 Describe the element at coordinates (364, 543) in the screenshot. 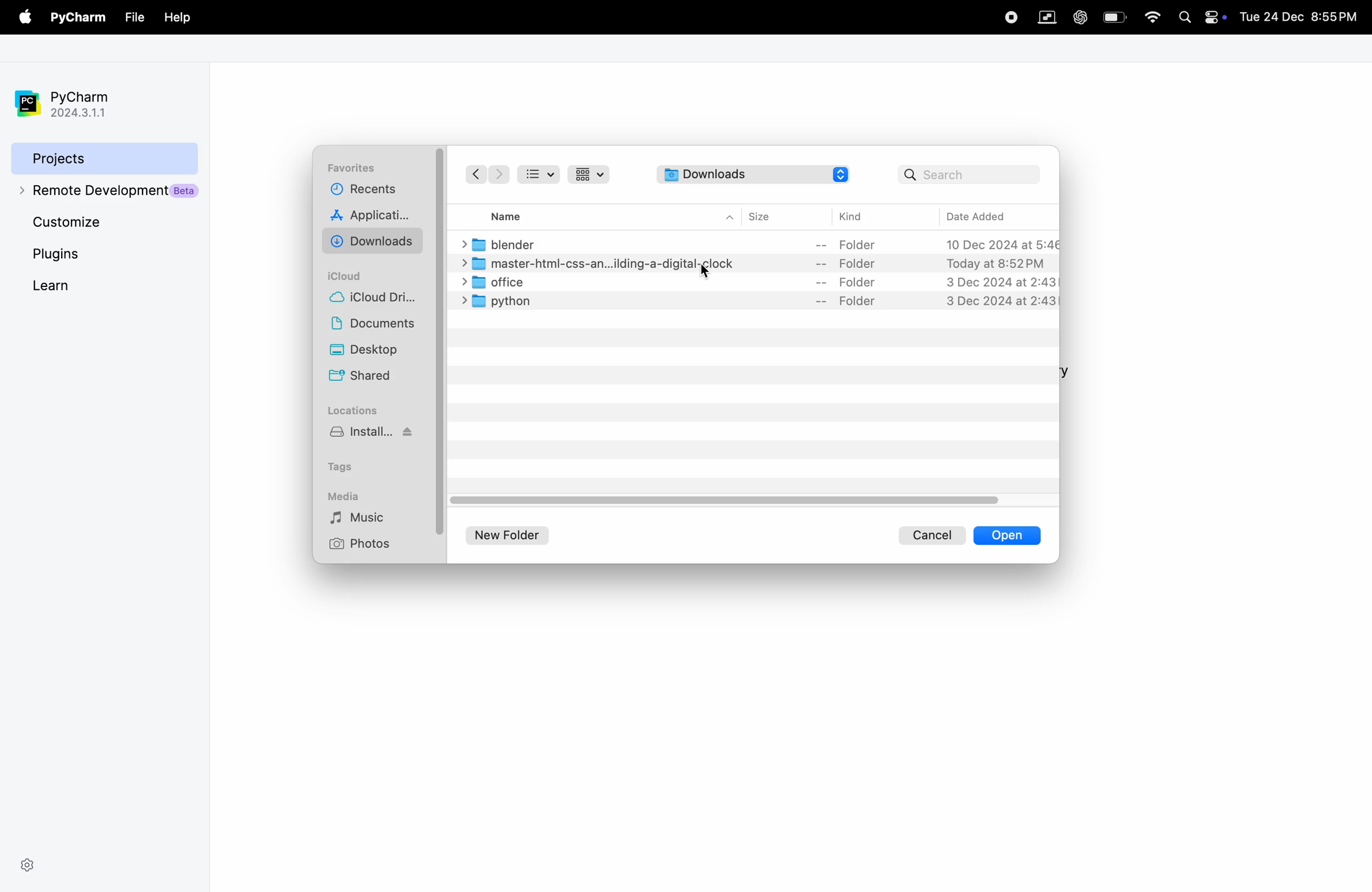

I see `photos` at that location.